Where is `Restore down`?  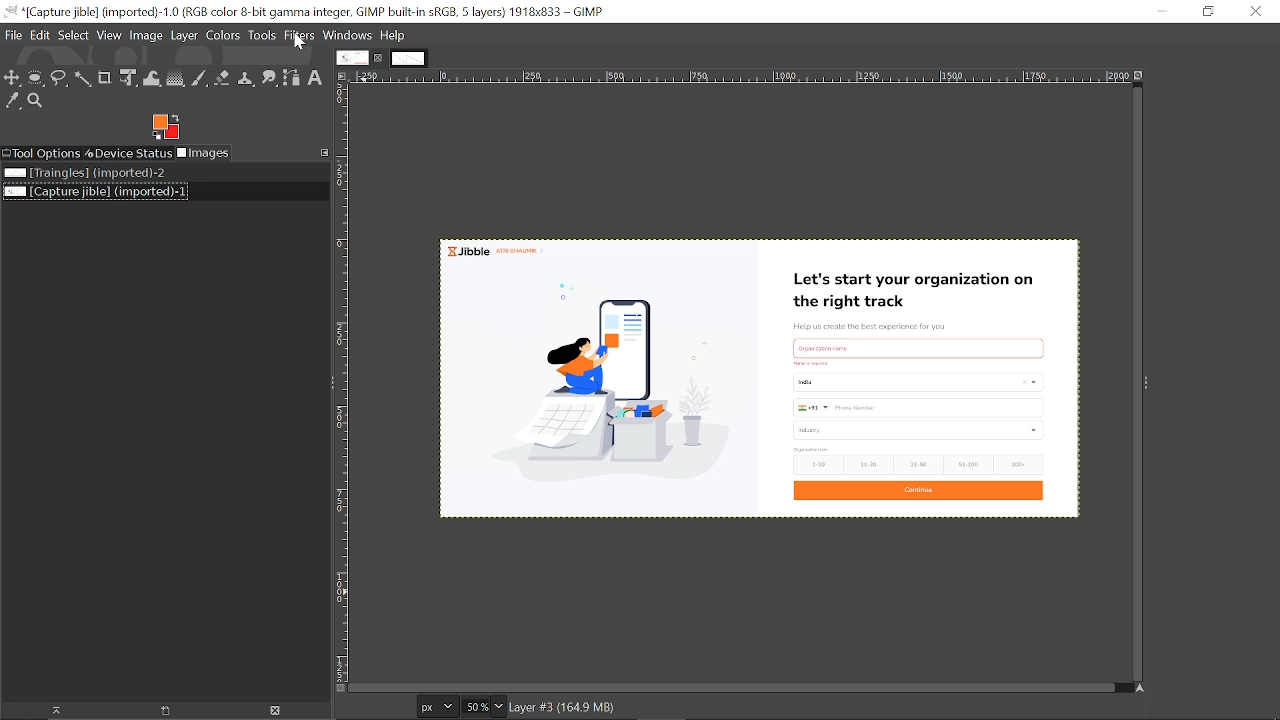
Restore down is located at coordinates (1207, 11).